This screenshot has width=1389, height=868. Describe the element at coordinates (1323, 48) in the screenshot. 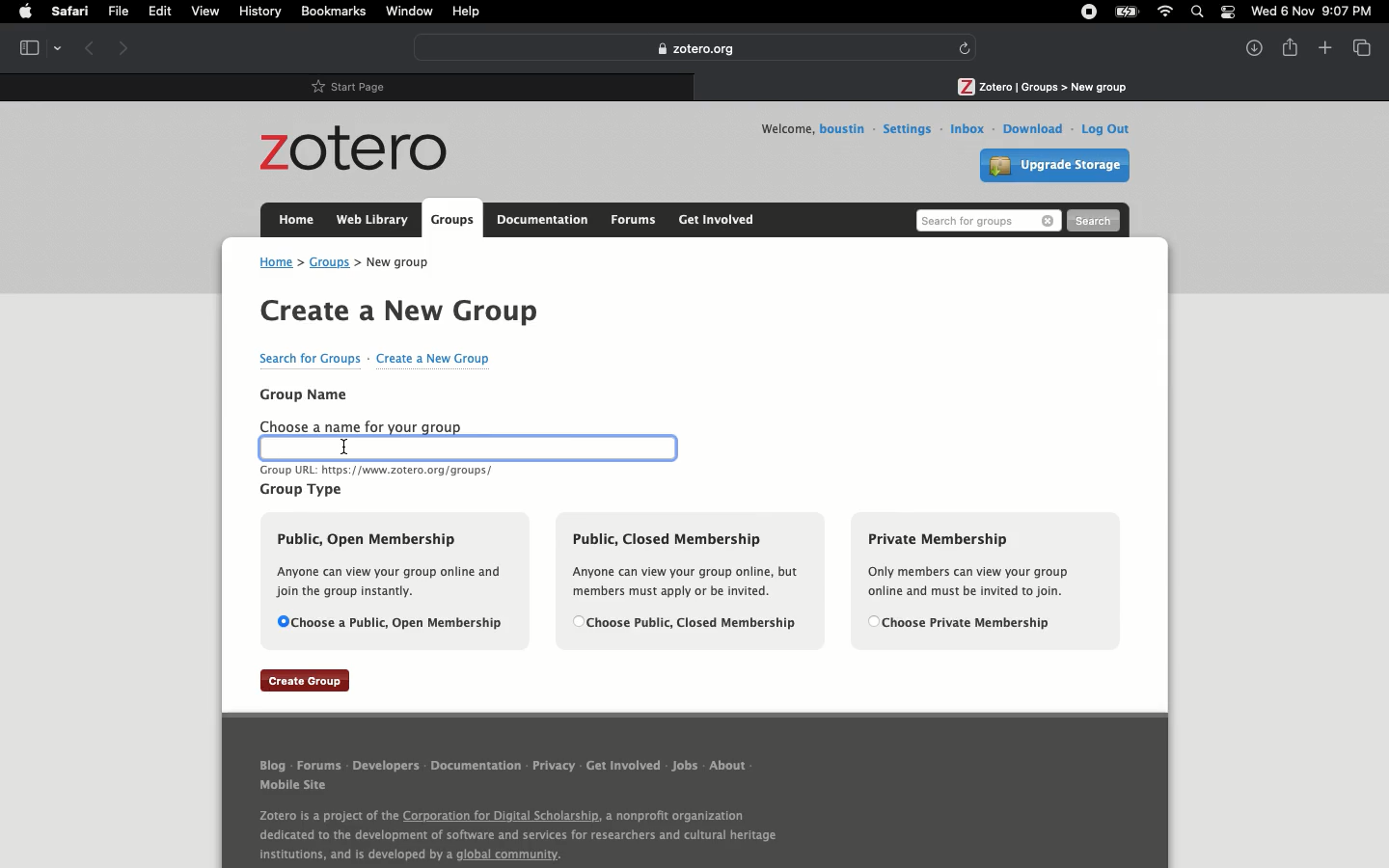

I see `New tab` at that location.